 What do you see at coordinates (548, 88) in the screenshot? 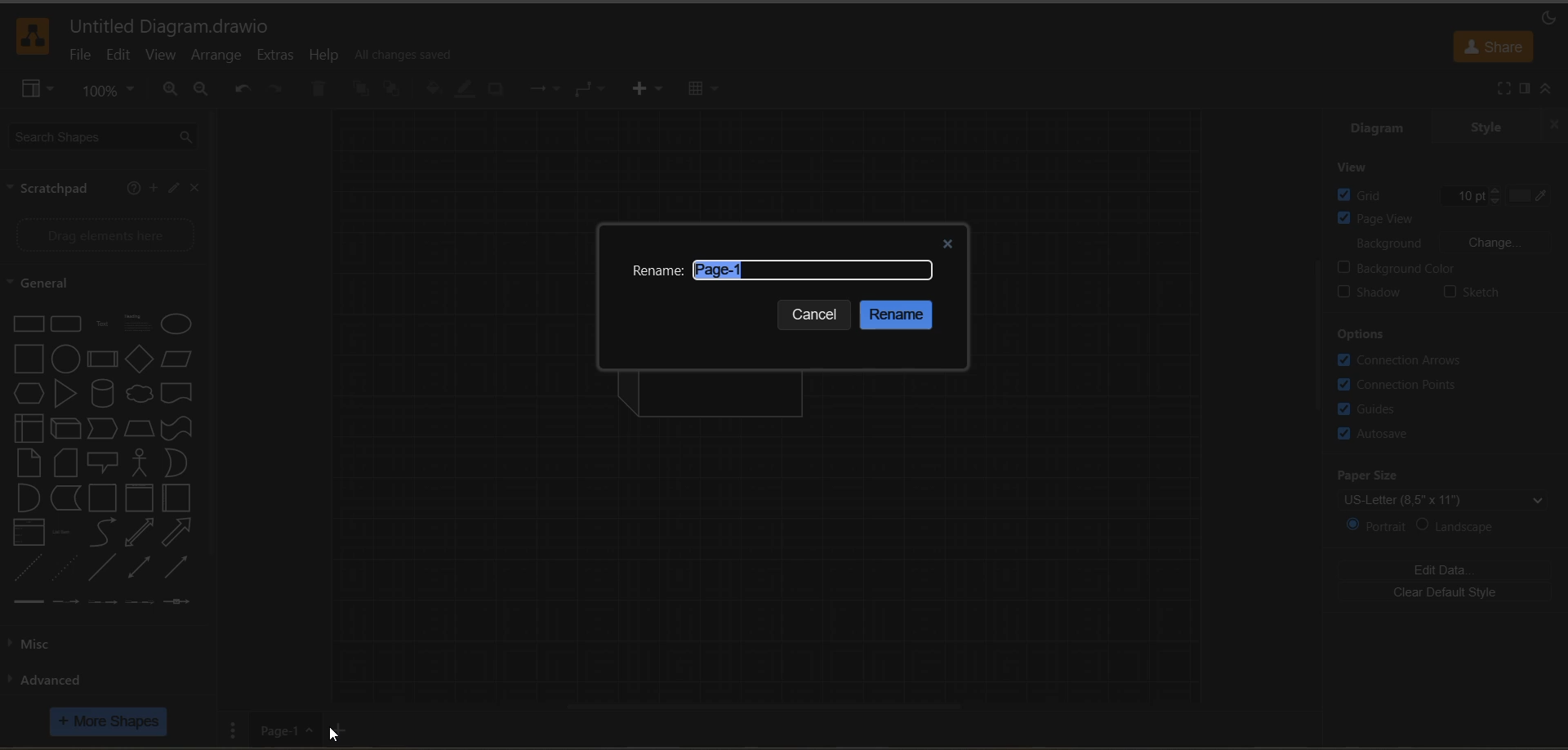
I see `connections` at bounding box center [548, 88].